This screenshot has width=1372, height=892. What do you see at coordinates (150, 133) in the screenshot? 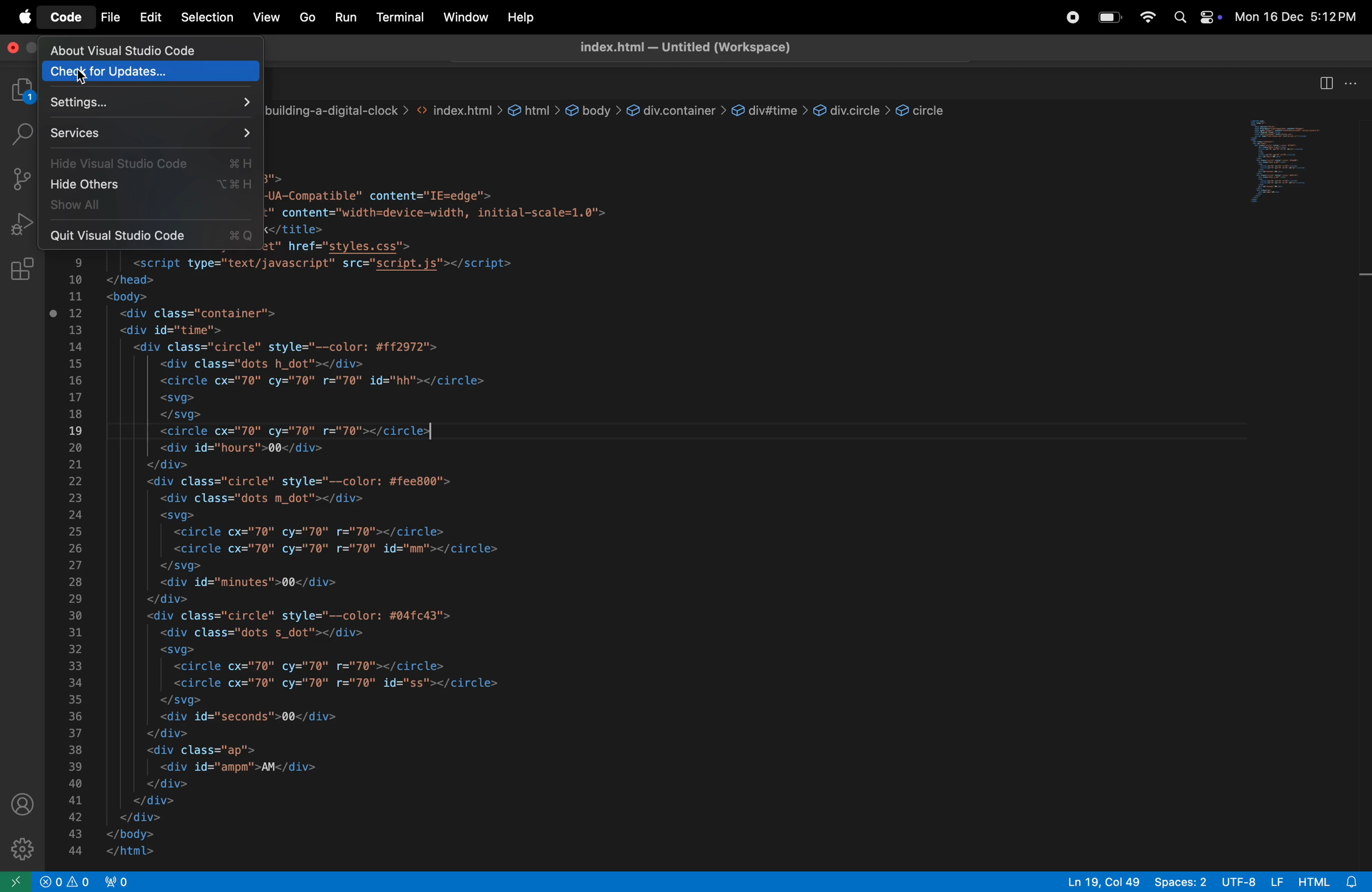
I see `services` at bounding box center [150, 133].